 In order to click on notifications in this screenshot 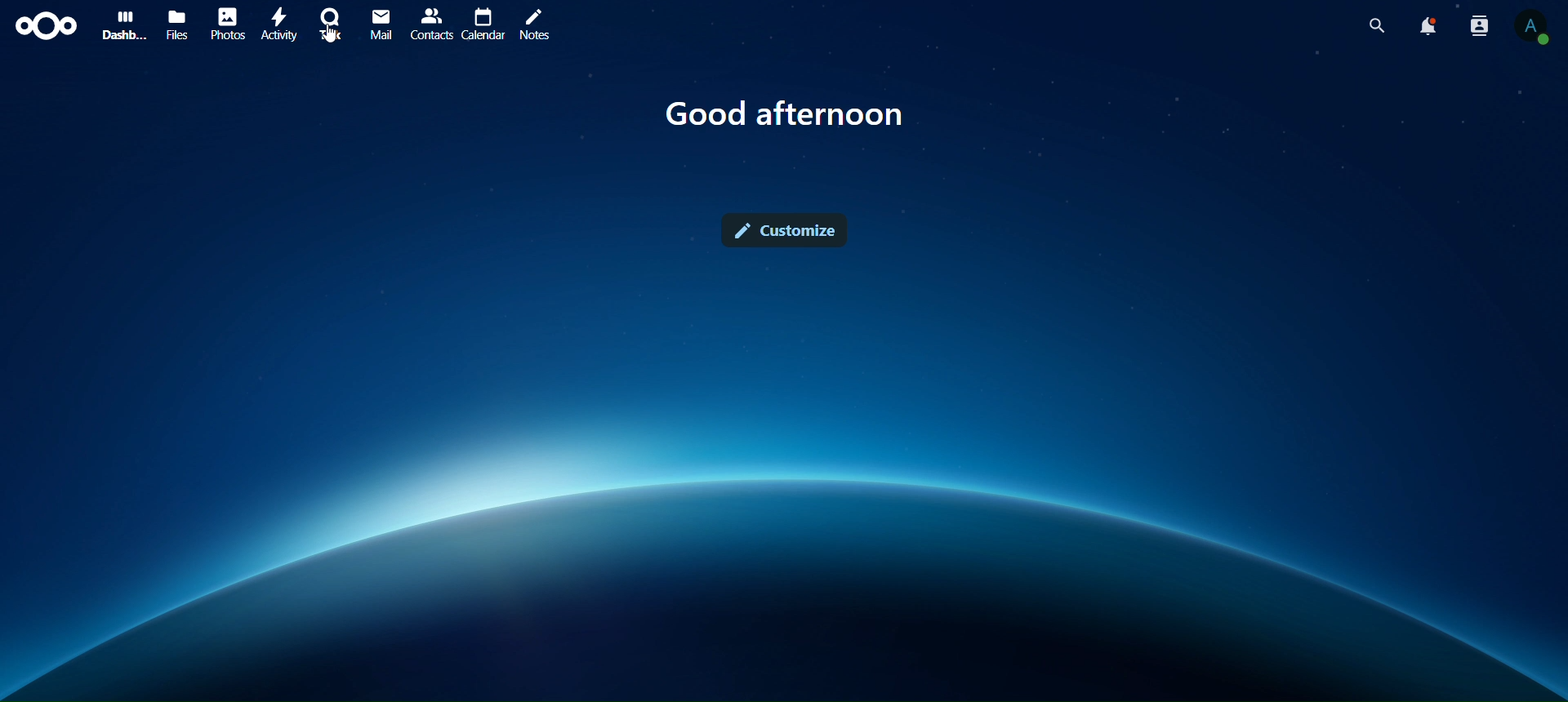, I will do `click(1429, 26)`.